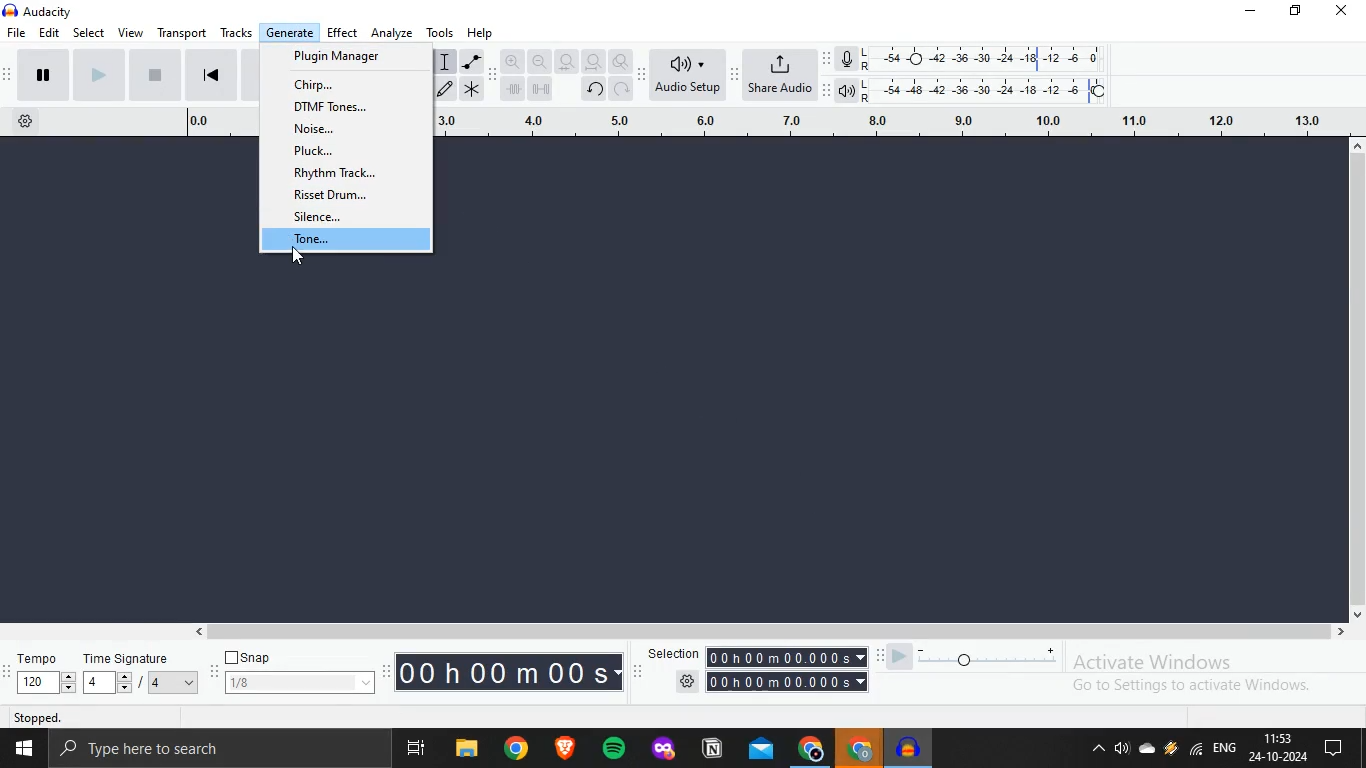 The width and height of the screenshot is (1366, 768). What do you see at coordinates (687, 72) in the screenshot?
I see `Audio Setup` at bounding box center [687, 72].